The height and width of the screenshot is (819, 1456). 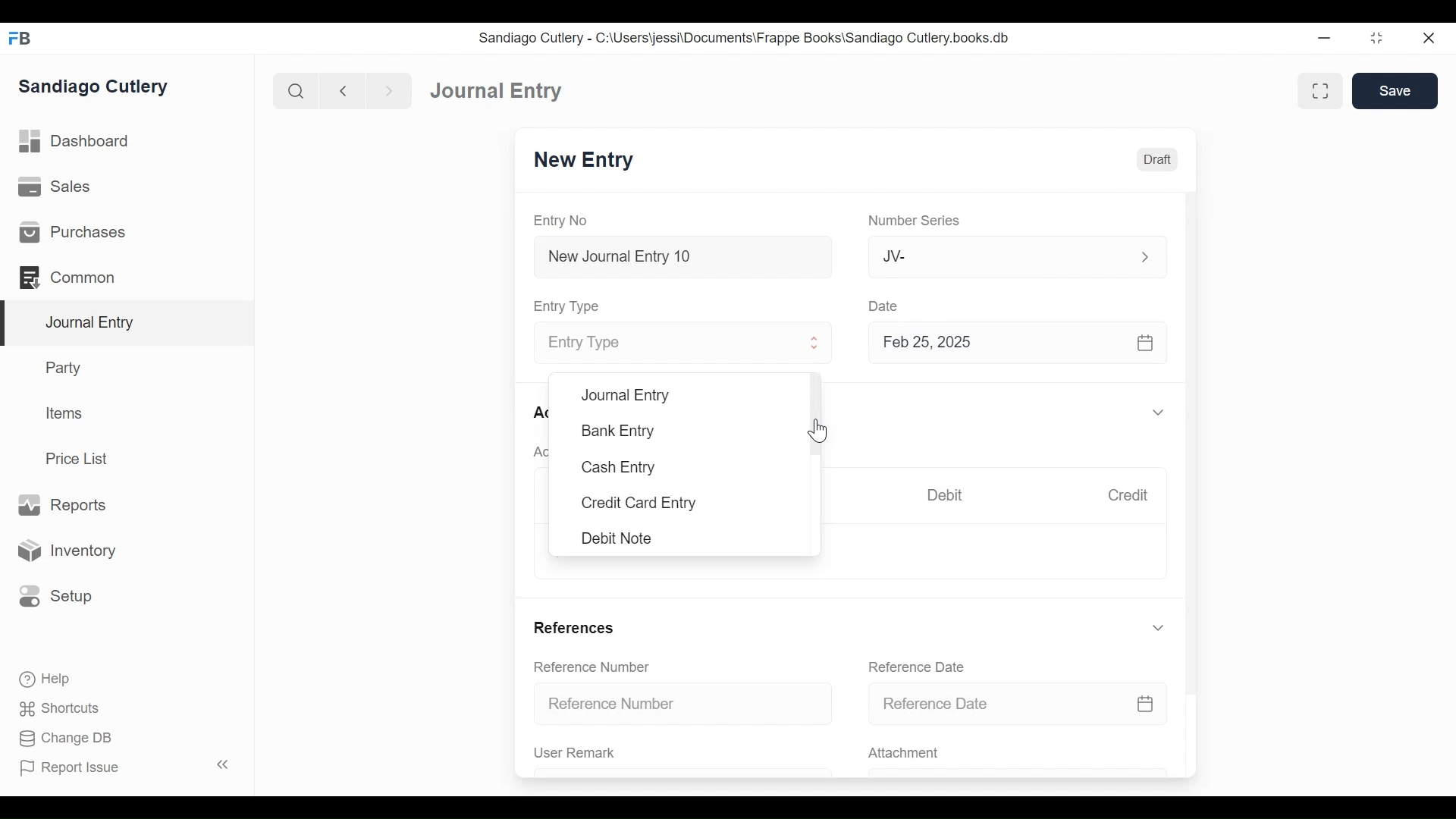 What do you see at coordinates (55, 708) in the screenshot?
I see `Shortcuts` at bounding box center [55, 708].